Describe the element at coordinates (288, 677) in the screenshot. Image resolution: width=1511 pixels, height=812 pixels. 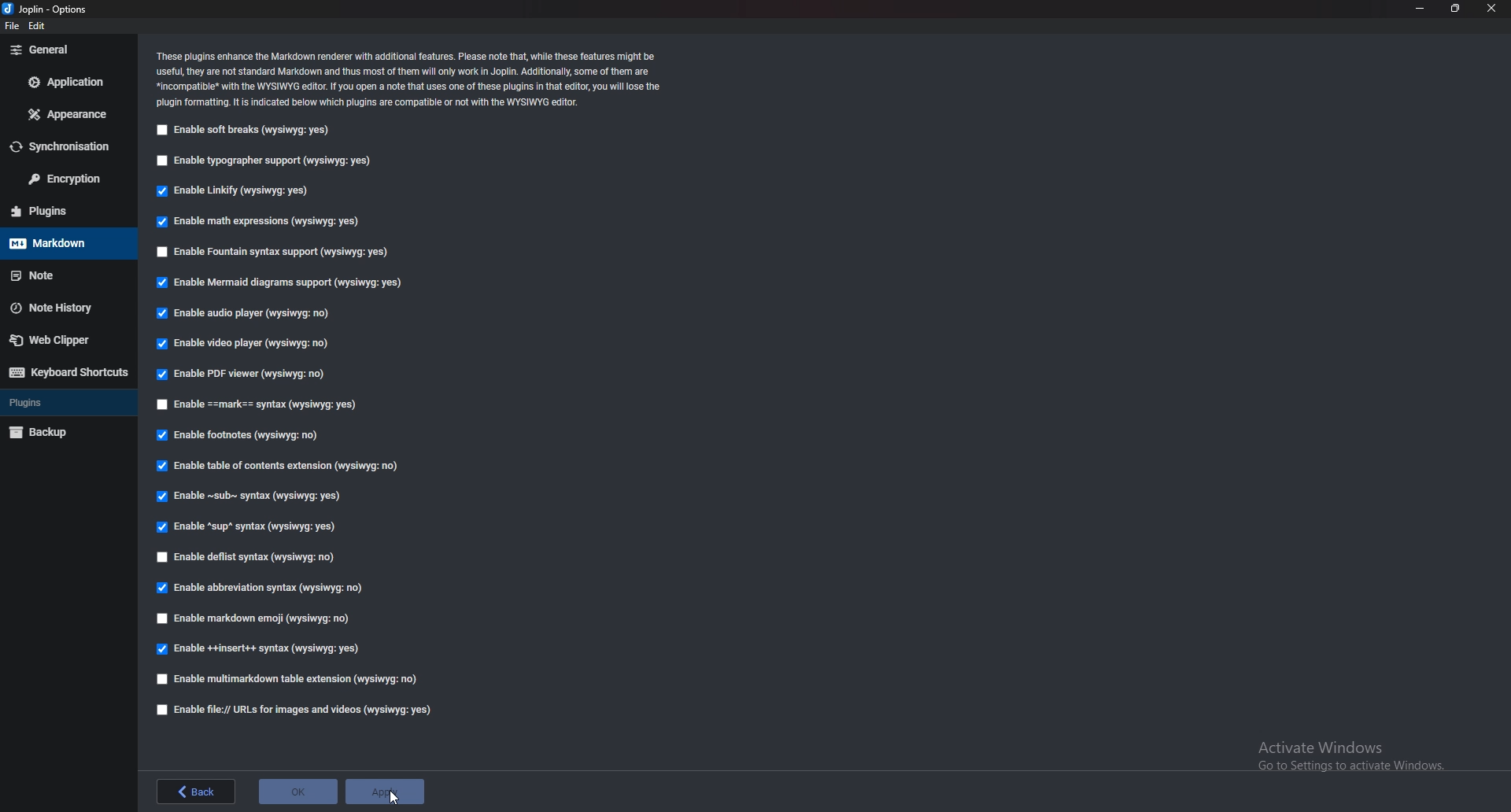
I see `Enable multi markdown table extension` at that location.